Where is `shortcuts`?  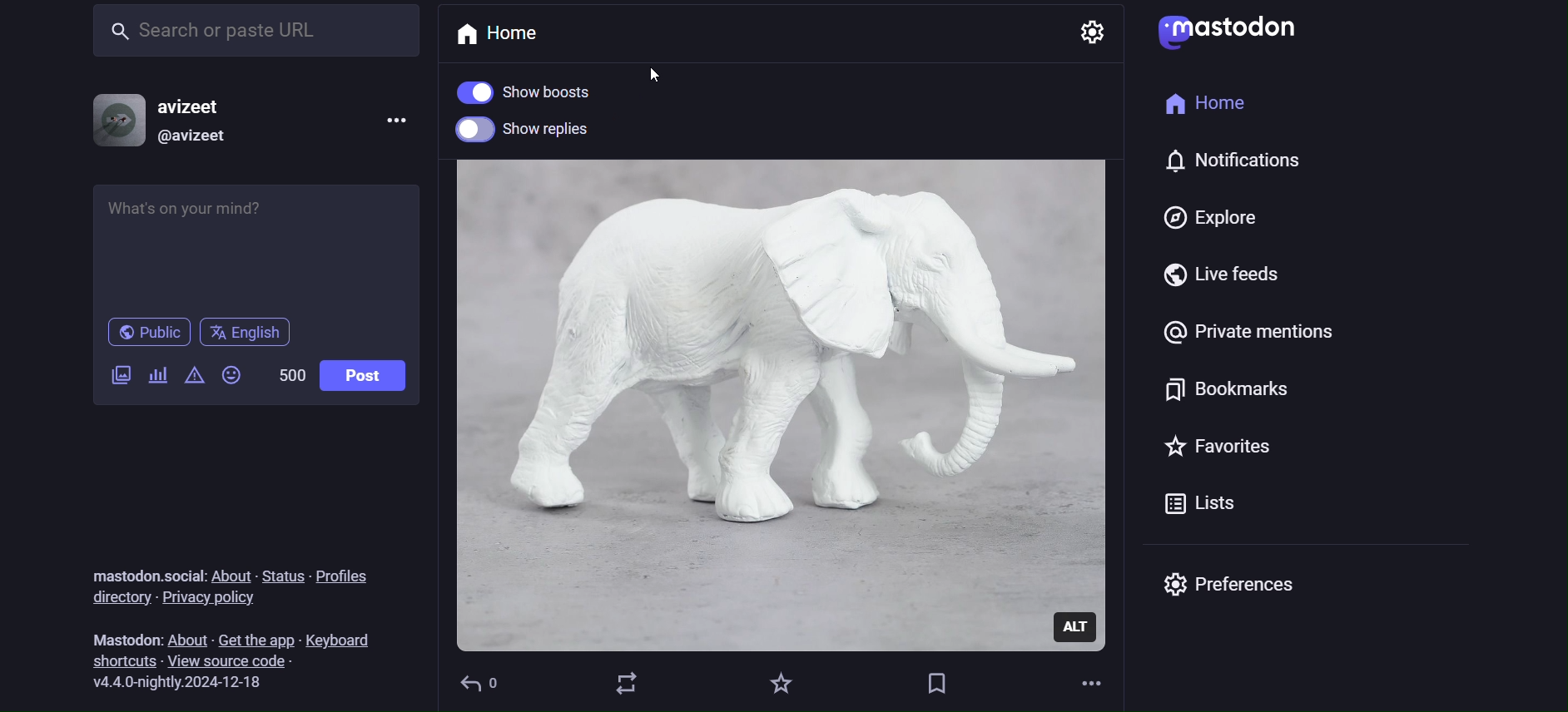
shortcuts is located at coordinates (116, 660).